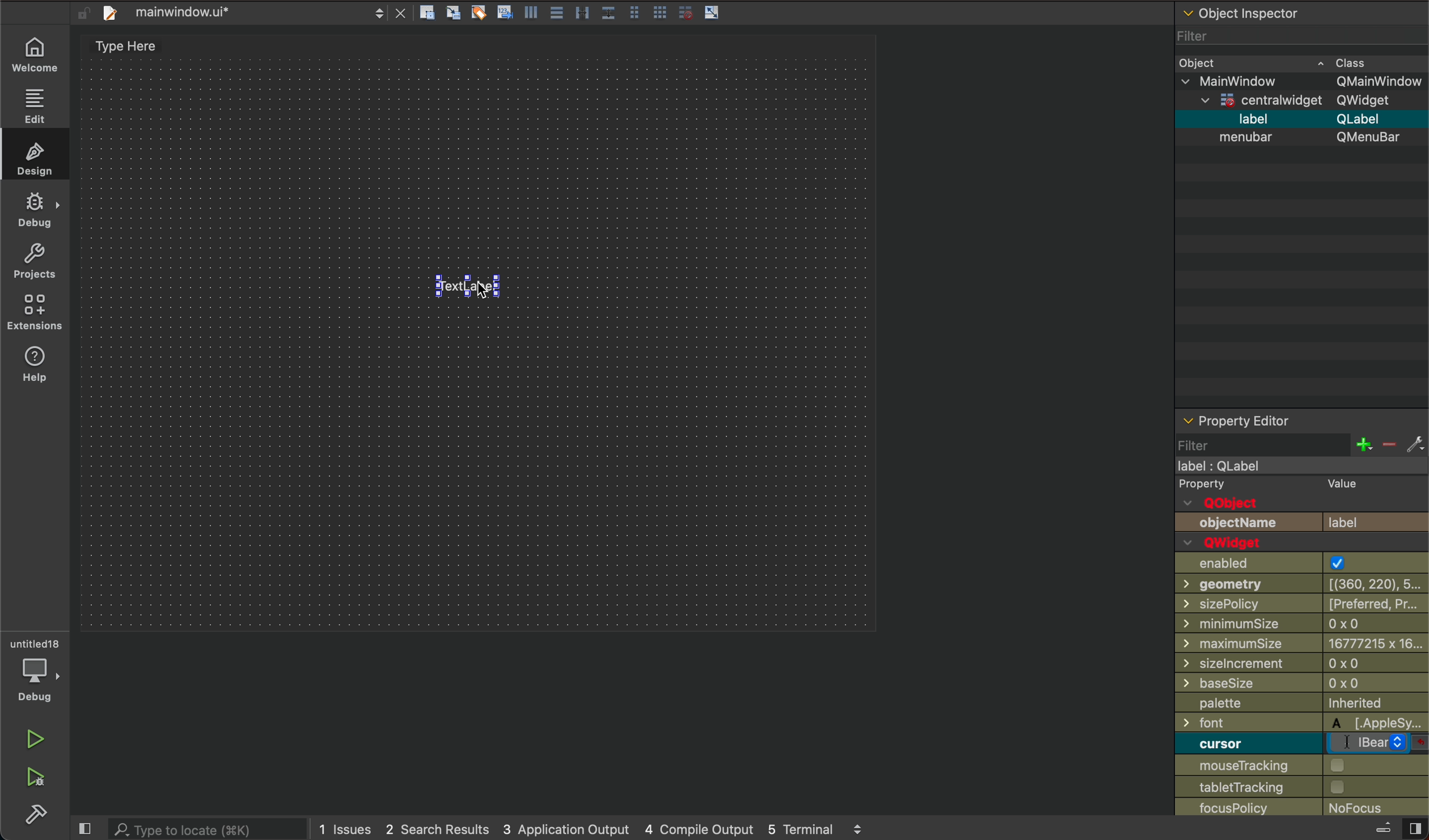 The image size is (1429, 840). I want to click on sizelncrement, so click(1244, 662).